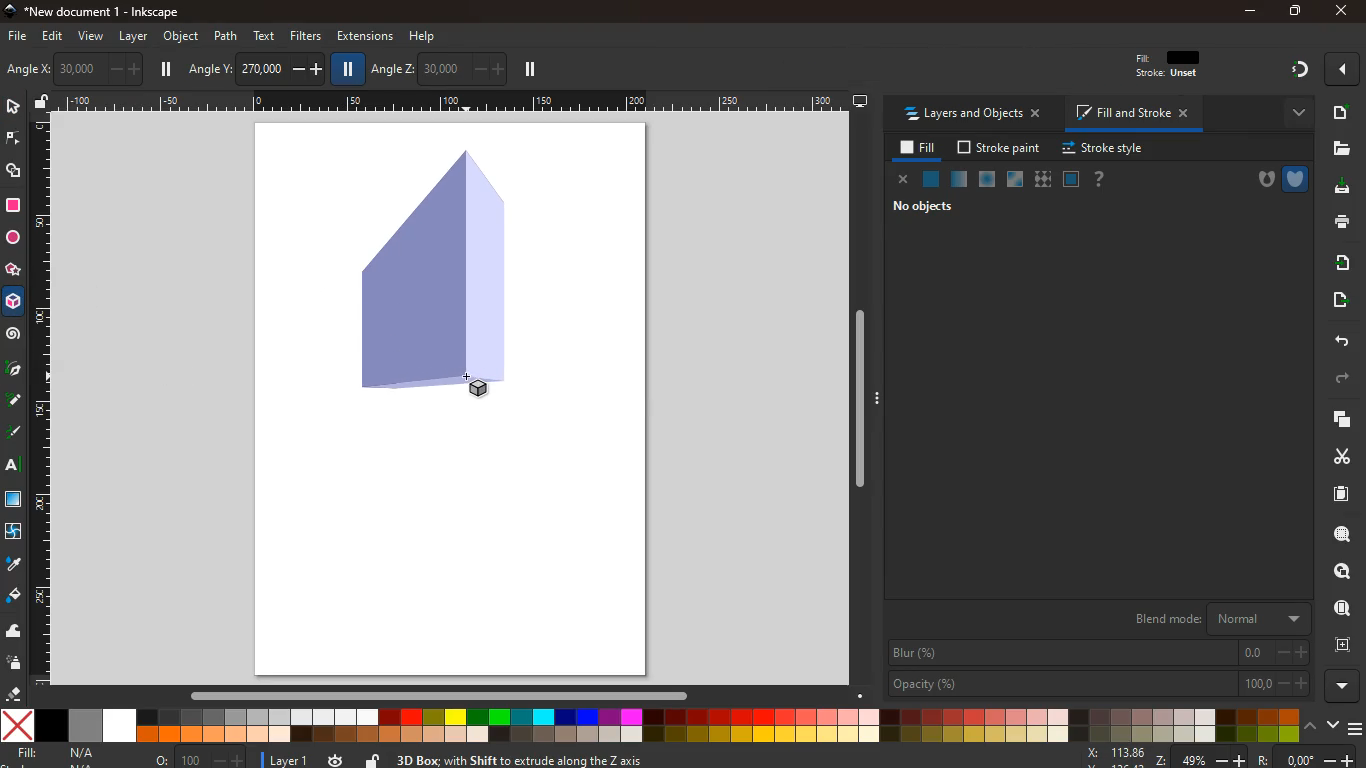  Describe the element at coordinates (1338, 187) in the screenshot. I see `dowload` at that location.